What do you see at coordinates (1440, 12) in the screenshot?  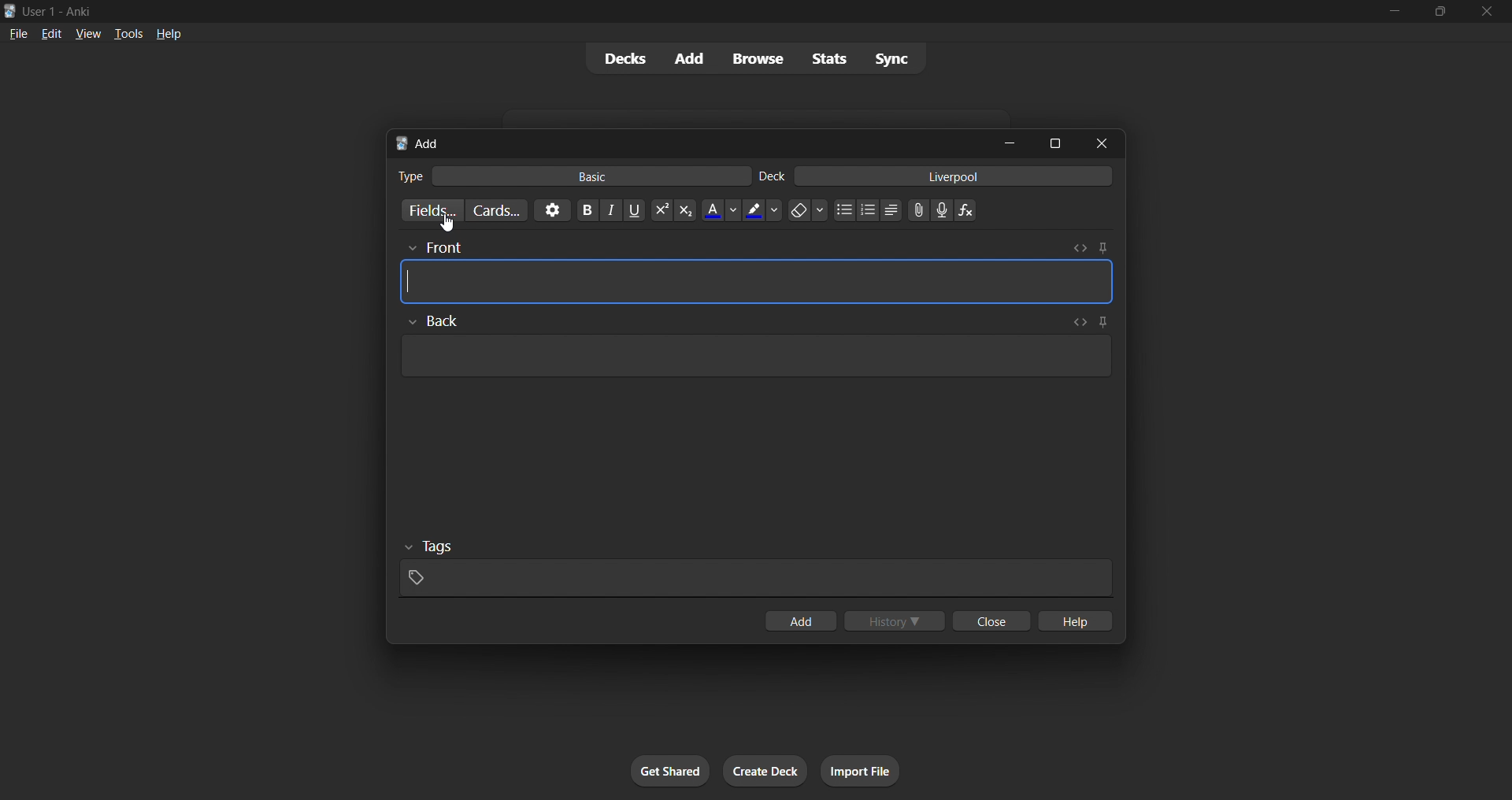 I see `maximize/restore` at bounding box center [1440, 12].